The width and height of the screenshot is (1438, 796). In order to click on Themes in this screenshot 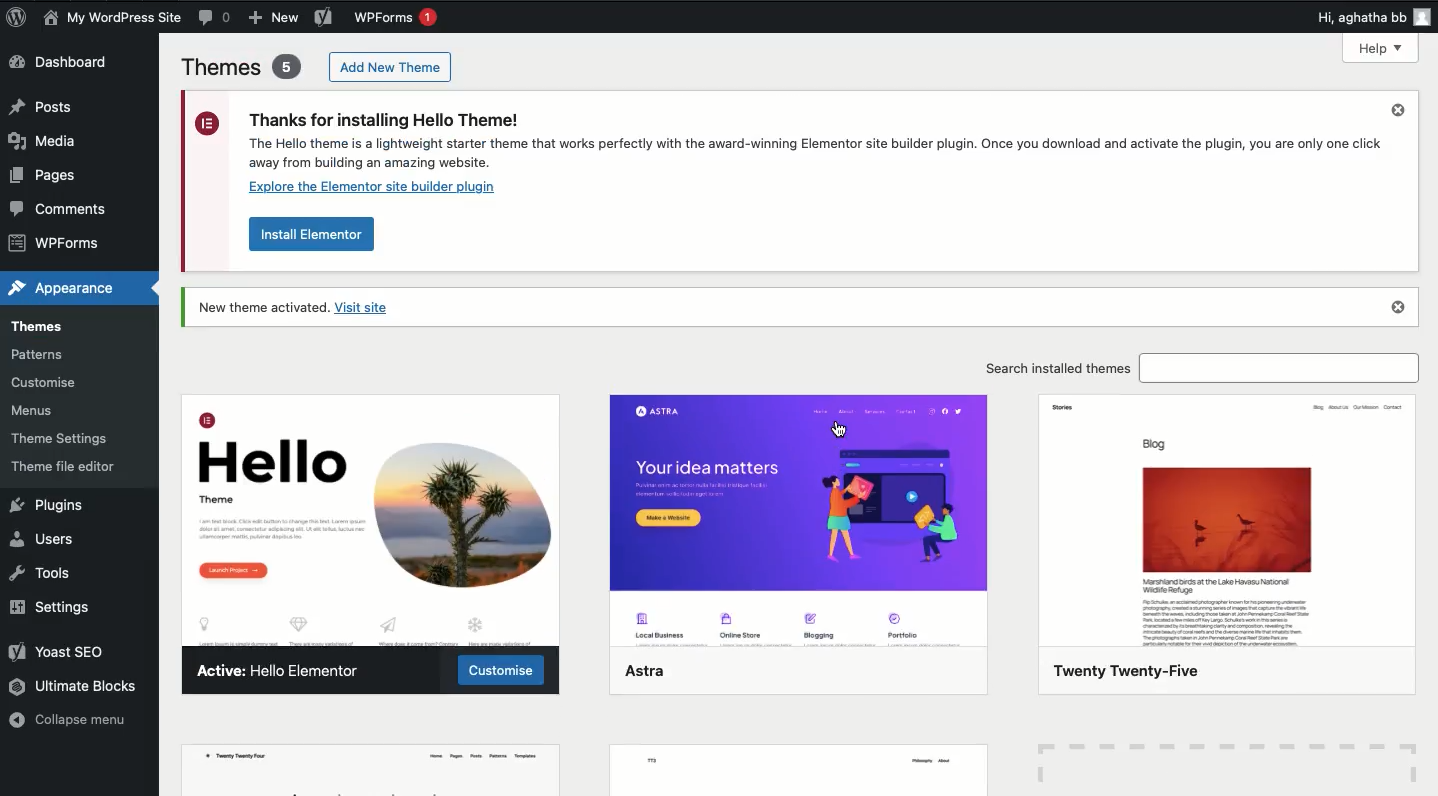, I will do `click(242, 67)`.